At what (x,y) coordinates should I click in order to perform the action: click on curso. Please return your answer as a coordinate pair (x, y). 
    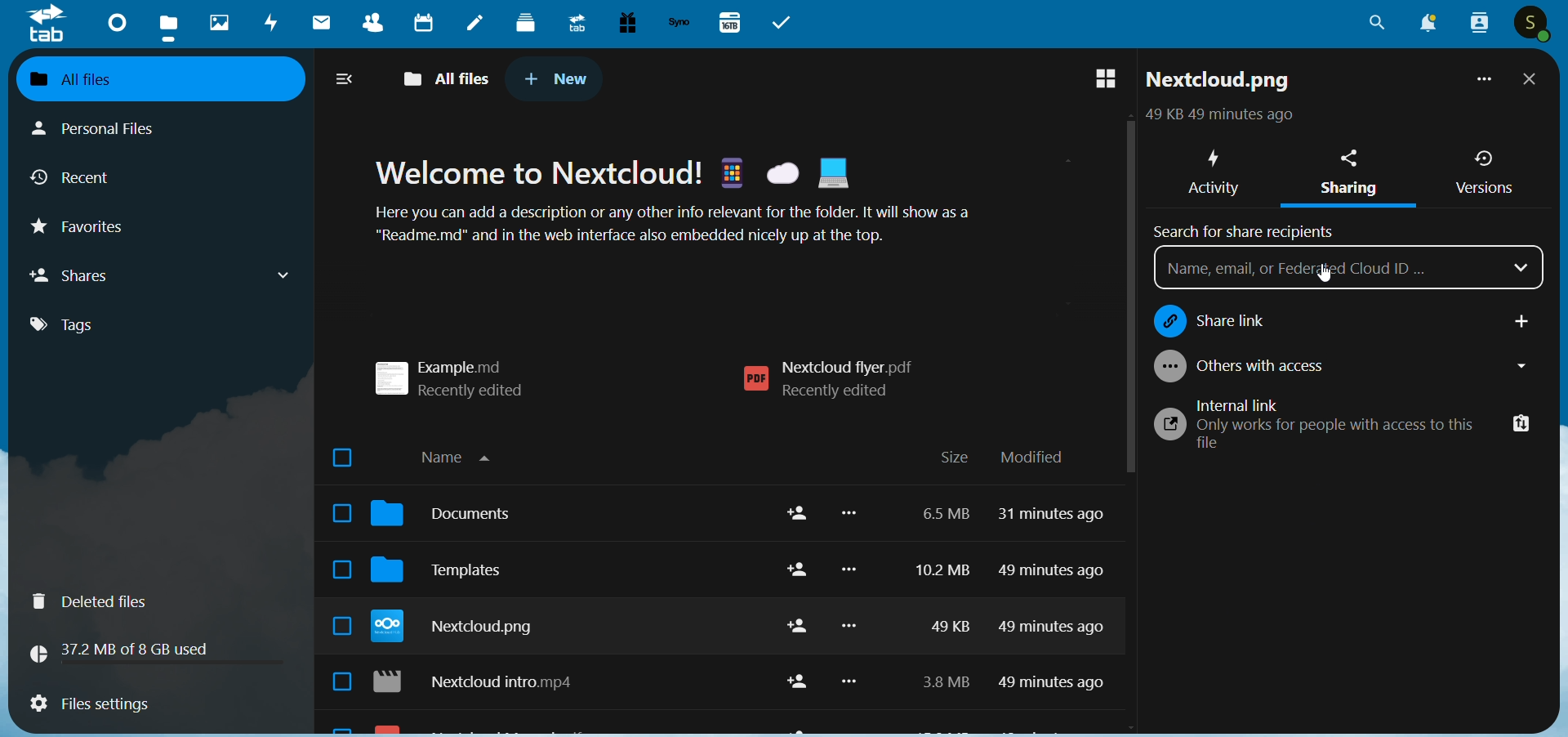
    Looking at the image, I should click on (1342, 279).